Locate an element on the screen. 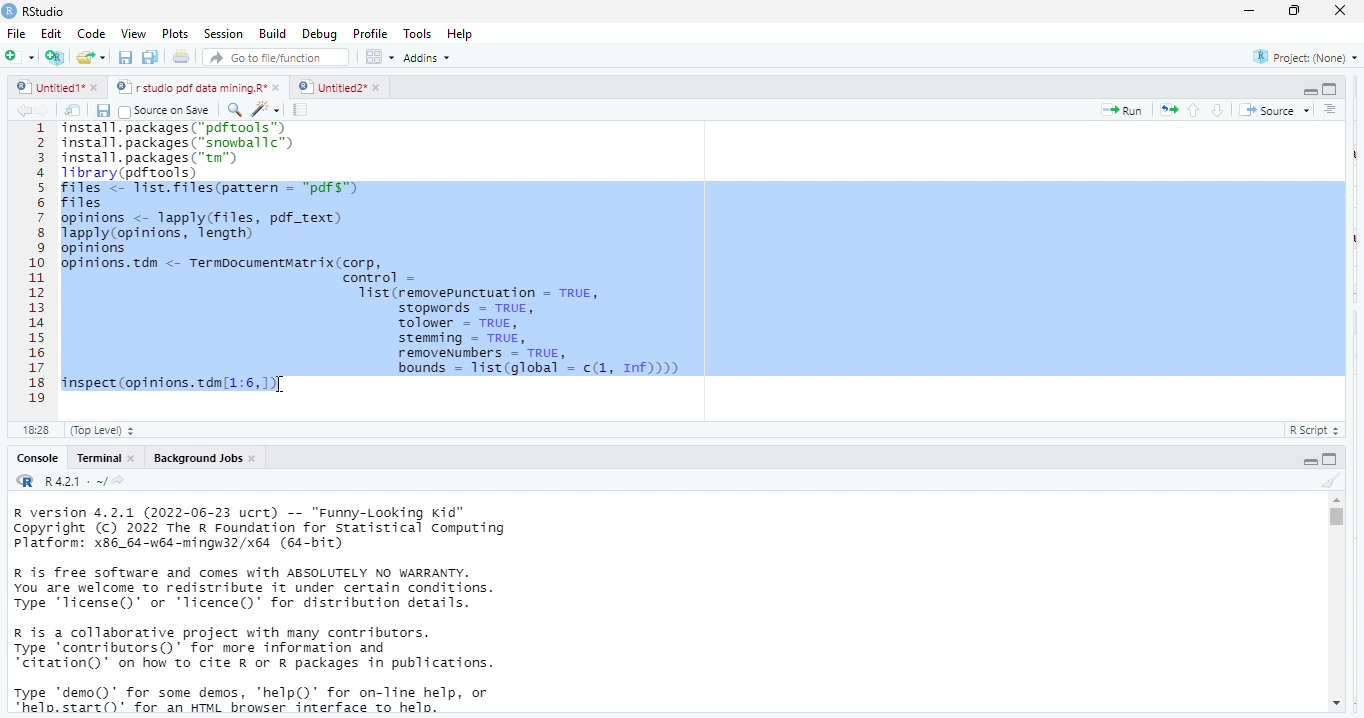 This screenshot has width=1364, height=718. close is located at coordinates (376, 87).